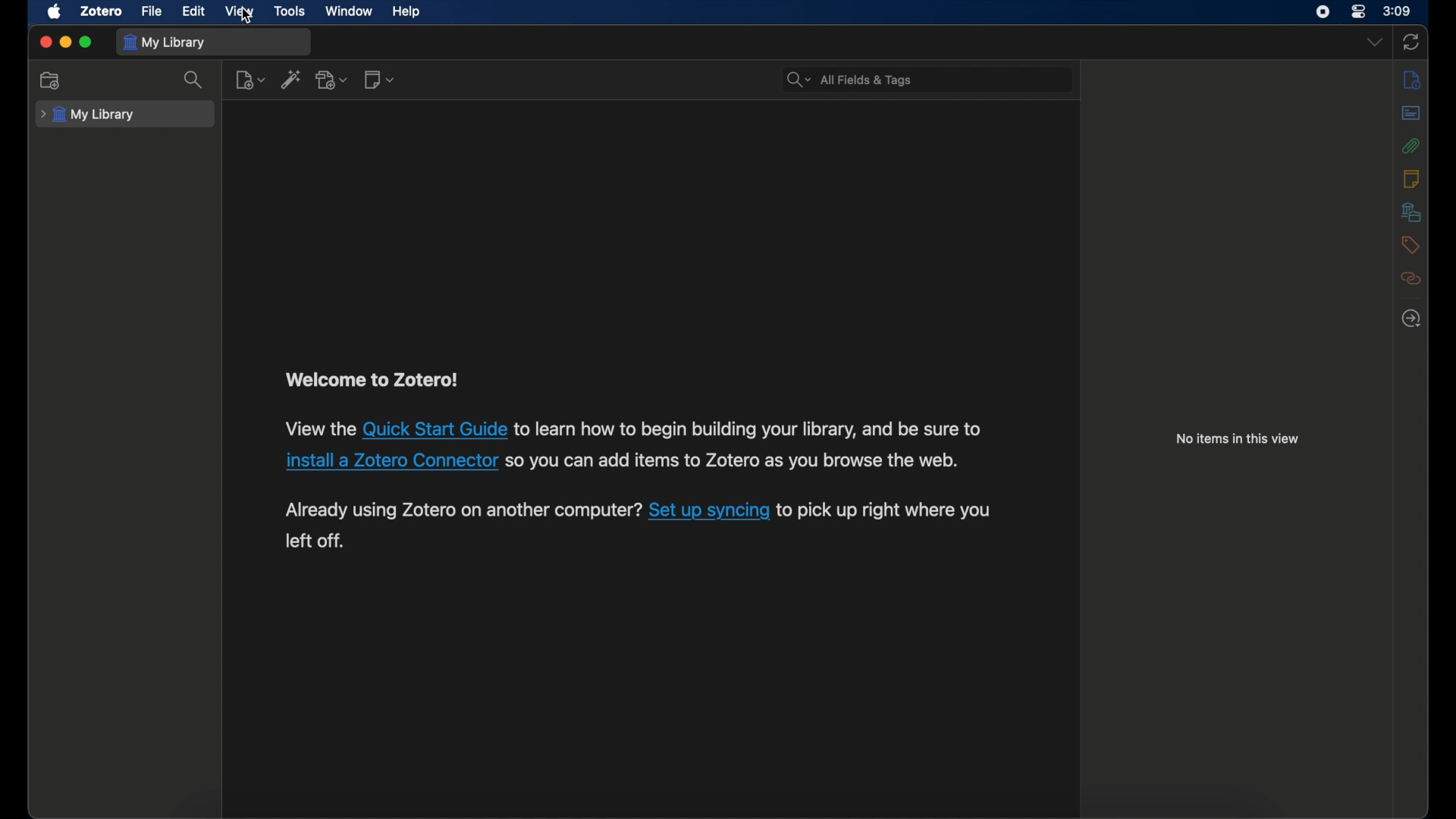 This screenshot has height=819, width=1456. Describe the element at coordinates (332, 79) in the screenshot. I see `add attachment` at that location.